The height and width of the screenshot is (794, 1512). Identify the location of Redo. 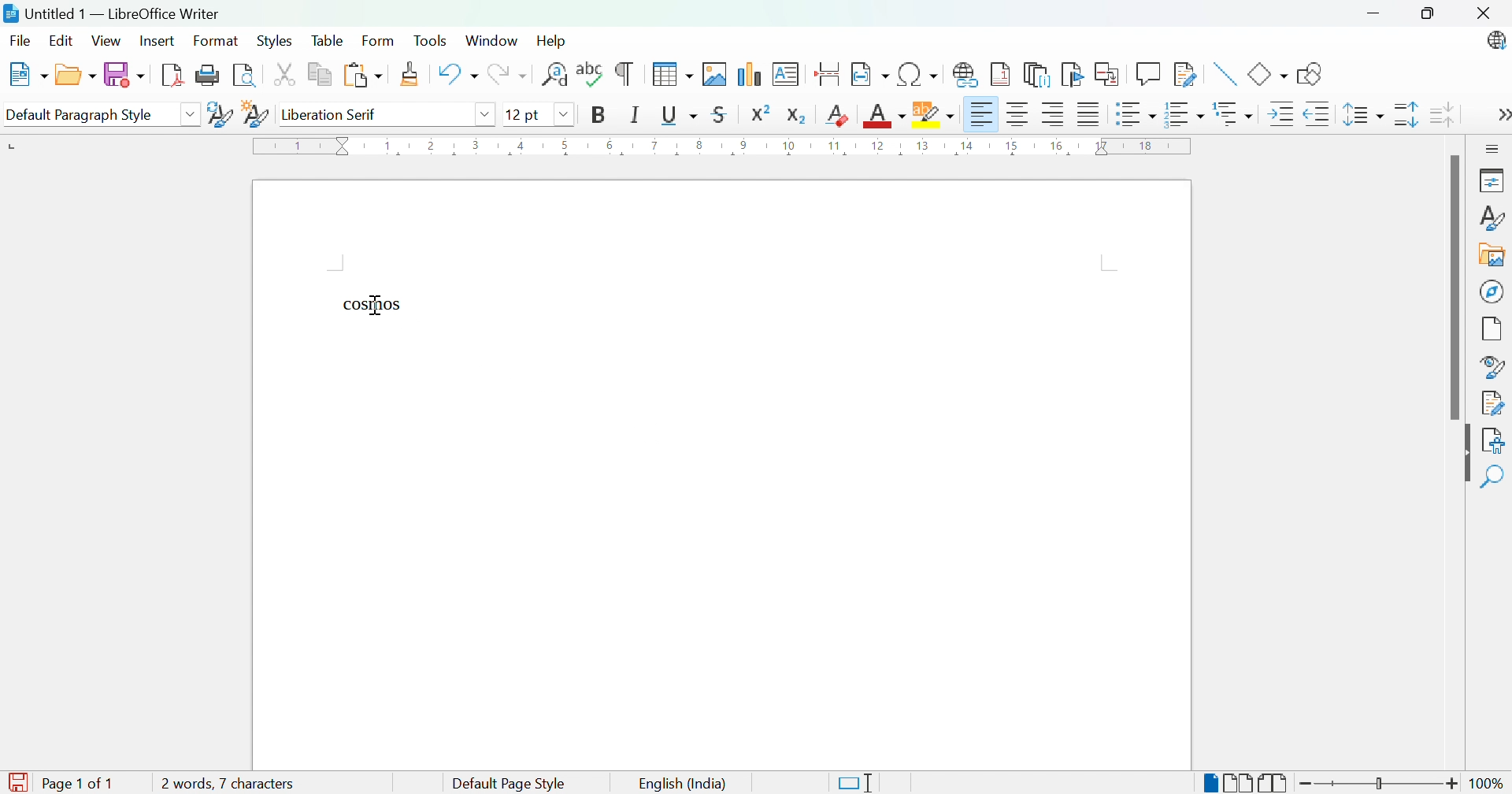
(509, 76).